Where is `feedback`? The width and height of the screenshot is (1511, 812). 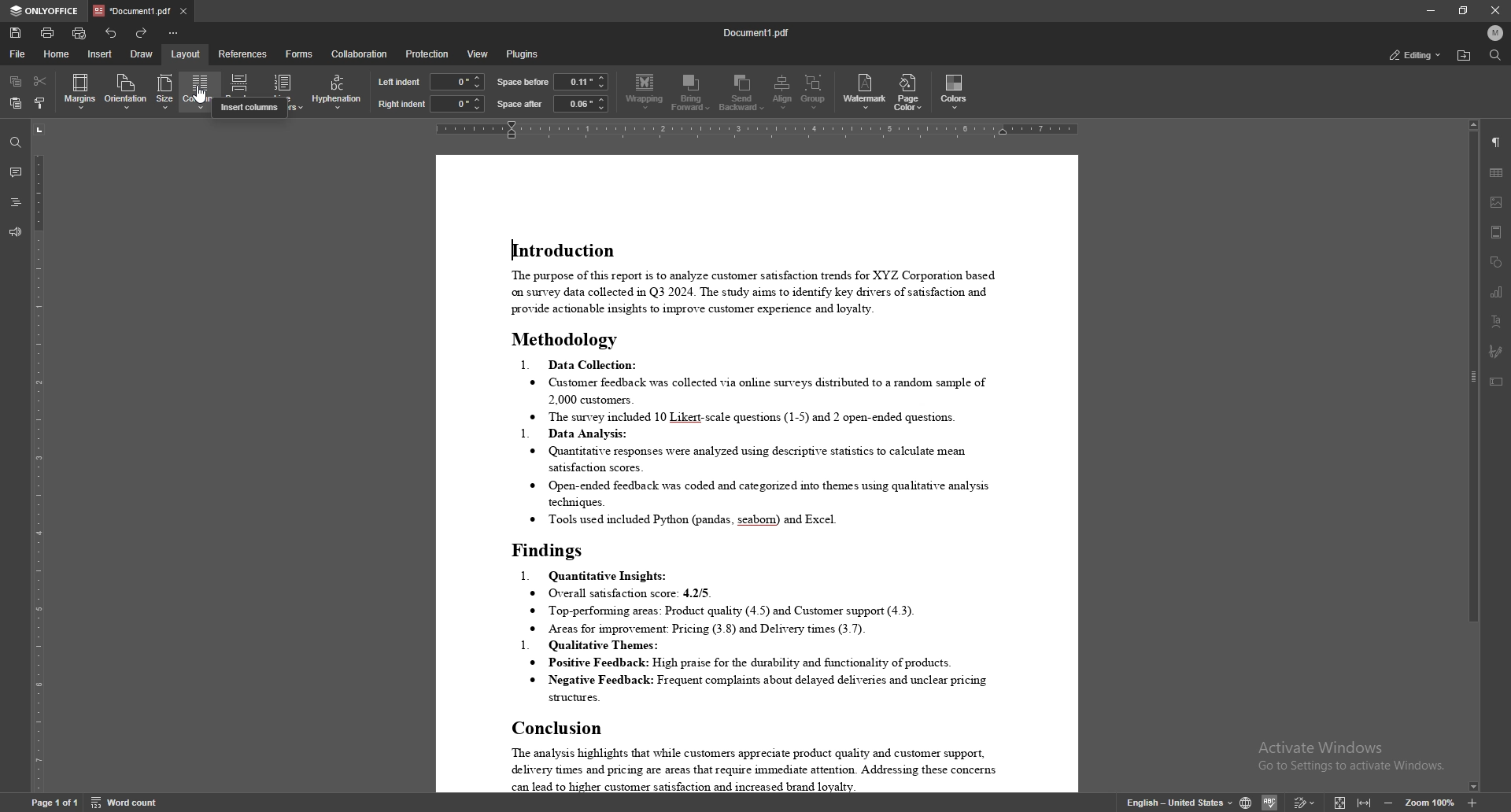 feedback is located at coordinates (16, 232).